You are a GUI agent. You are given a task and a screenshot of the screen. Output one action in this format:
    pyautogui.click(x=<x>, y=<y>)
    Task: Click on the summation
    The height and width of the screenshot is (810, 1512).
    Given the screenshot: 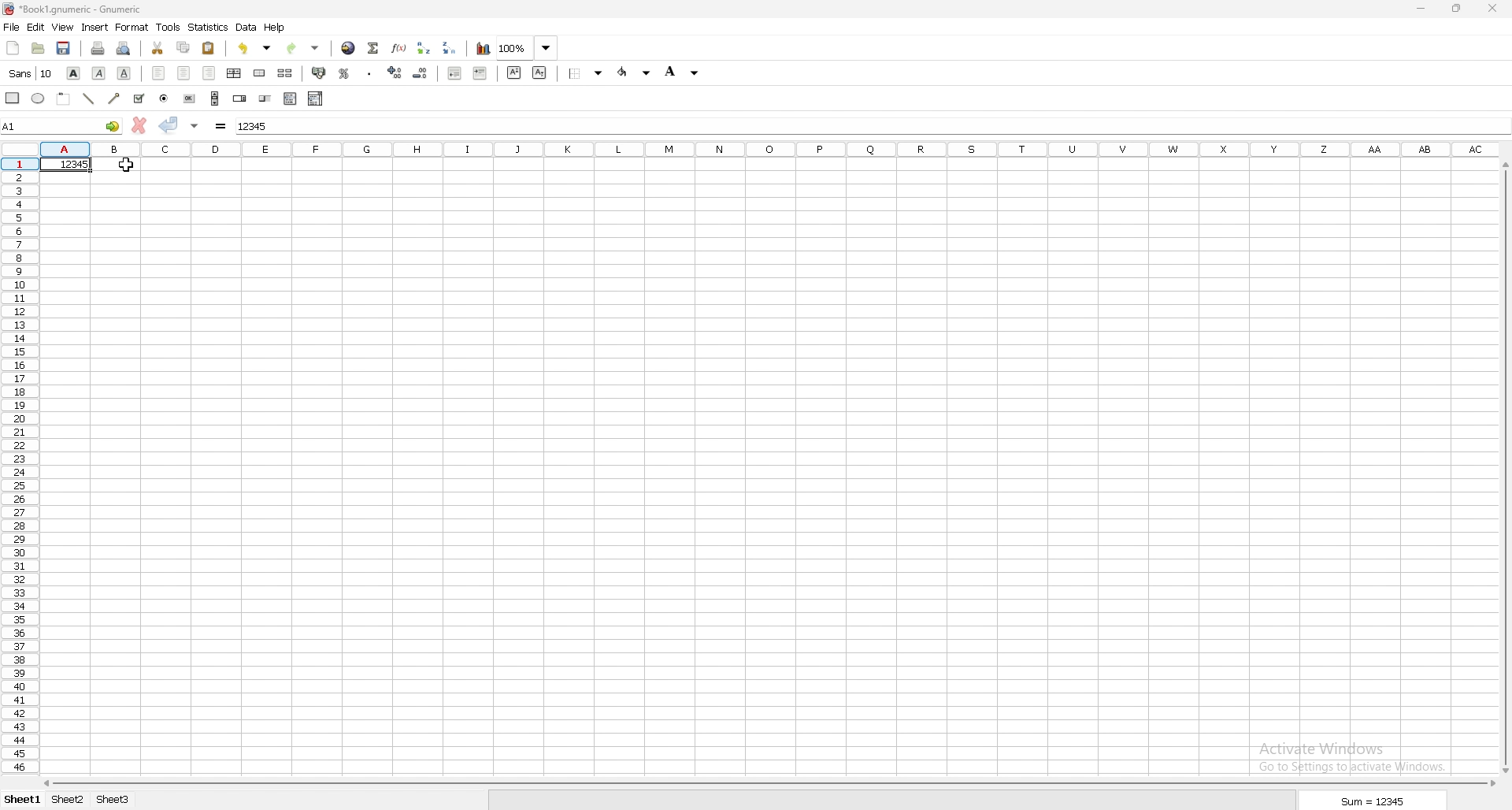 What is the action you would take?
    pyautogui.click(x=374, y=49)
    